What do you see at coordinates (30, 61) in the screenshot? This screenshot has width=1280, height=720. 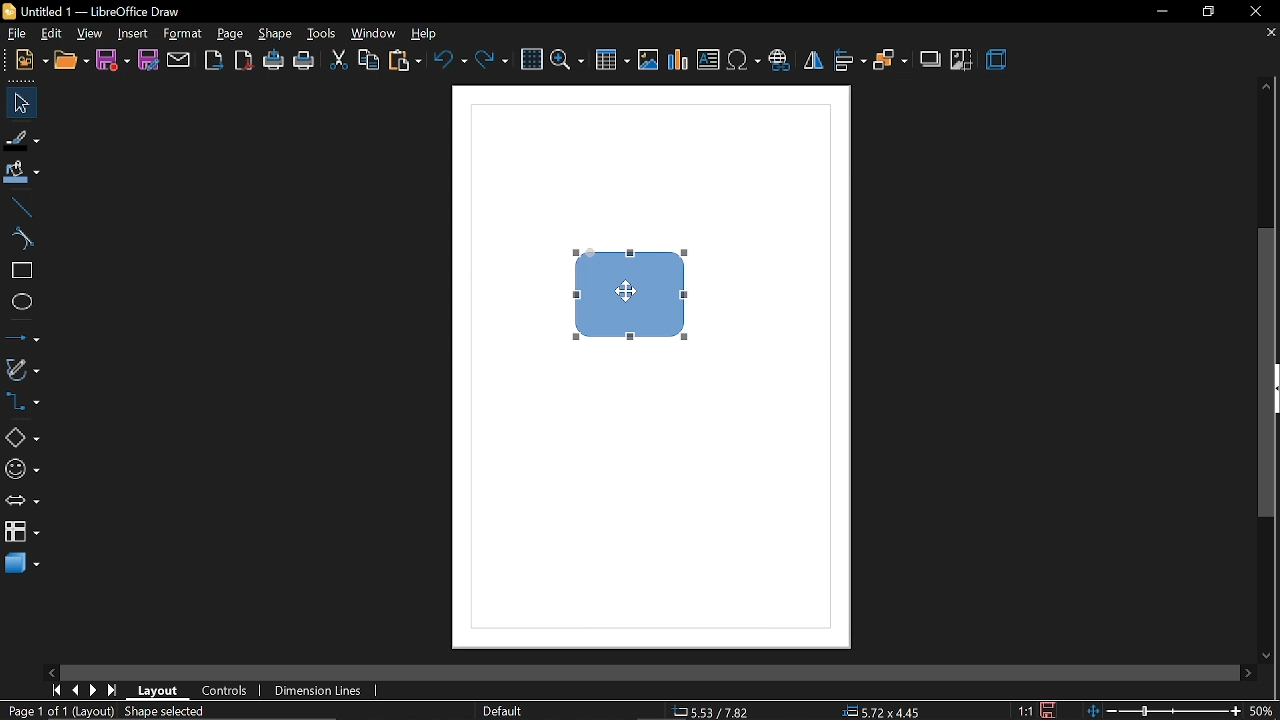 I see `new` at bounding box center [30, 61].